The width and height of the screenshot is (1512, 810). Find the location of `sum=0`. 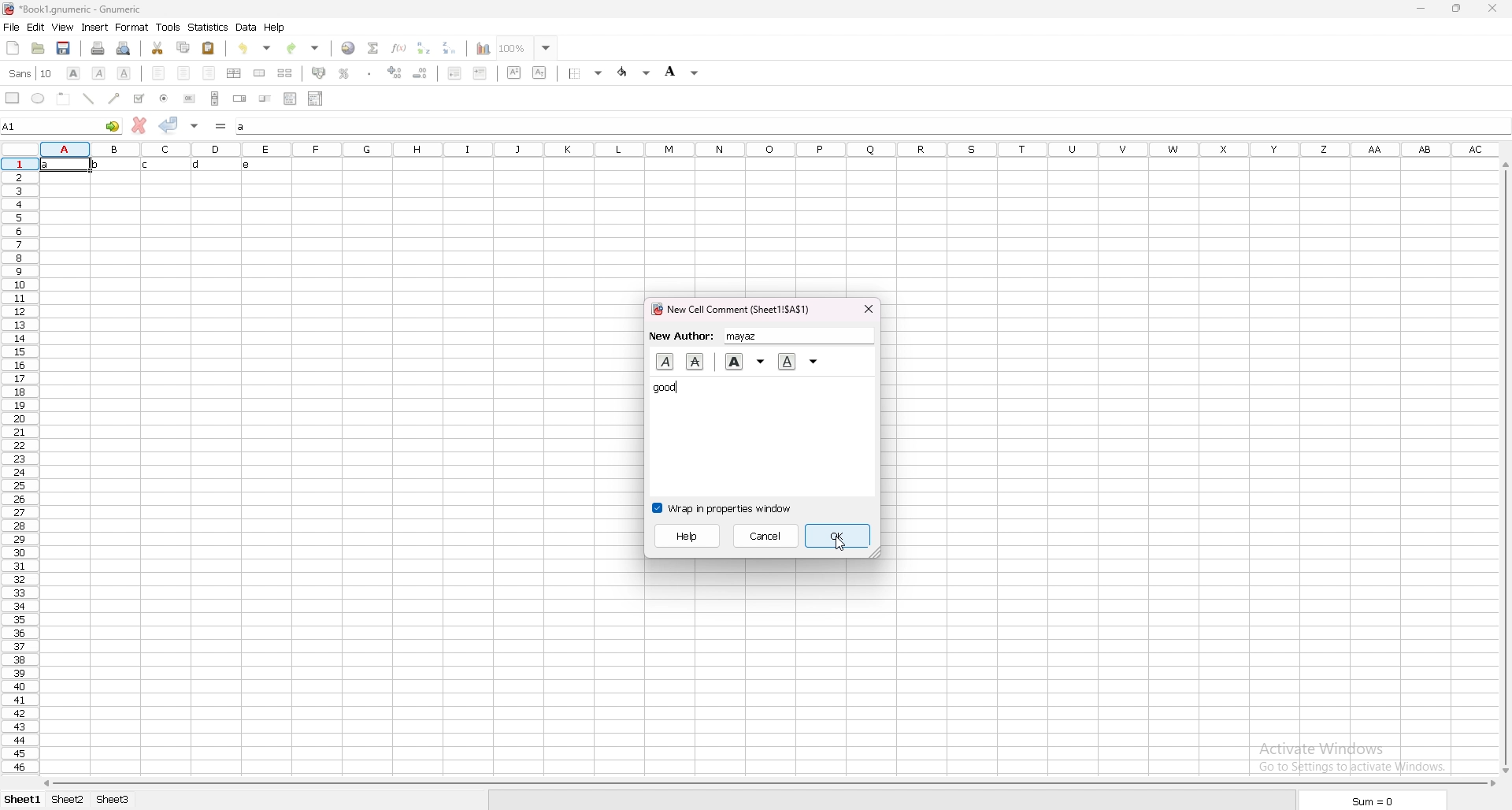

sum=0 is located at coordinates (1373, 802).